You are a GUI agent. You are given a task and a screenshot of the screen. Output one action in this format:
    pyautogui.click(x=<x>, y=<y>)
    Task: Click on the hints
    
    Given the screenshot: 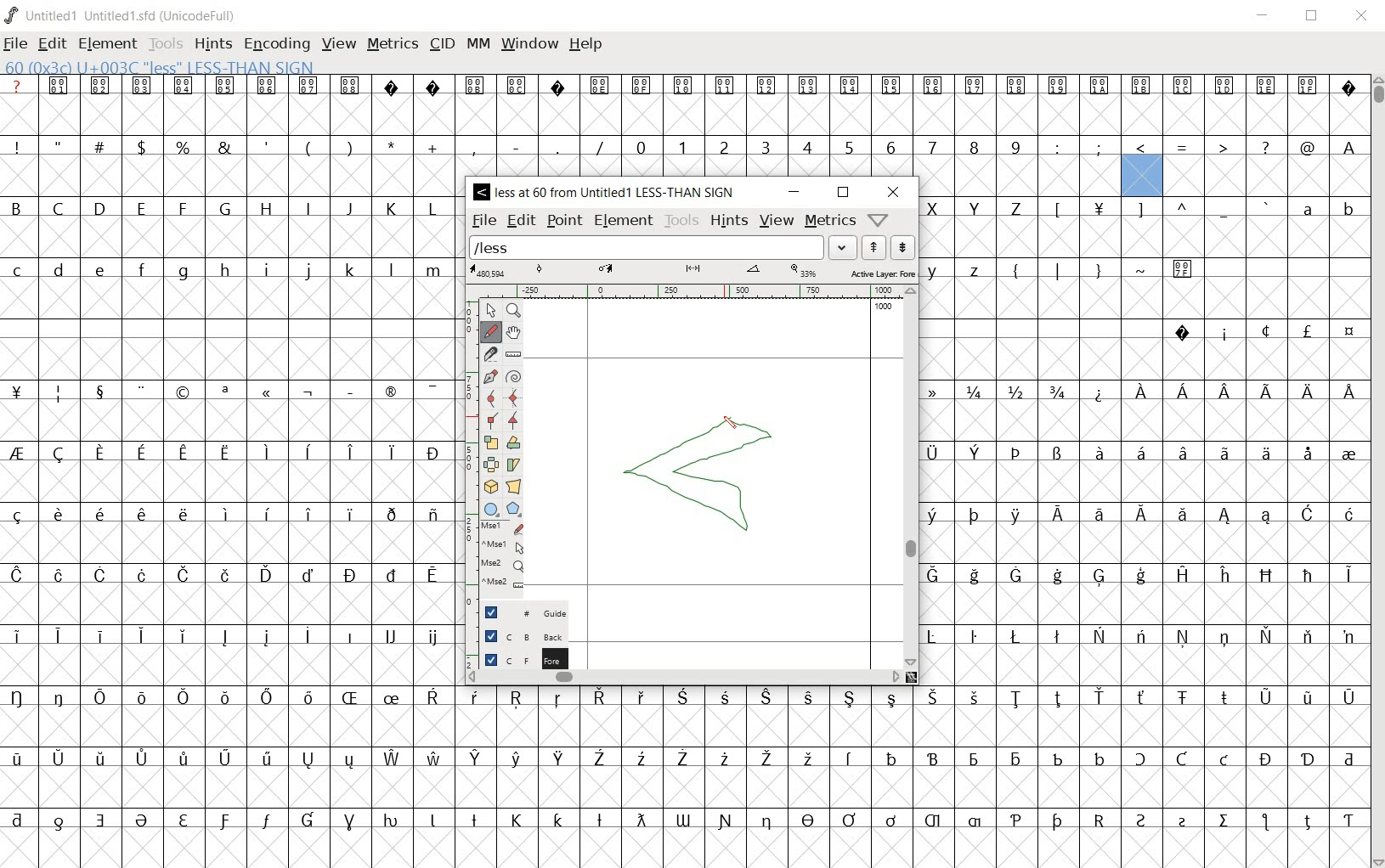 What is the action you would take?
    pyautogui.click(x=730, y=222)
    